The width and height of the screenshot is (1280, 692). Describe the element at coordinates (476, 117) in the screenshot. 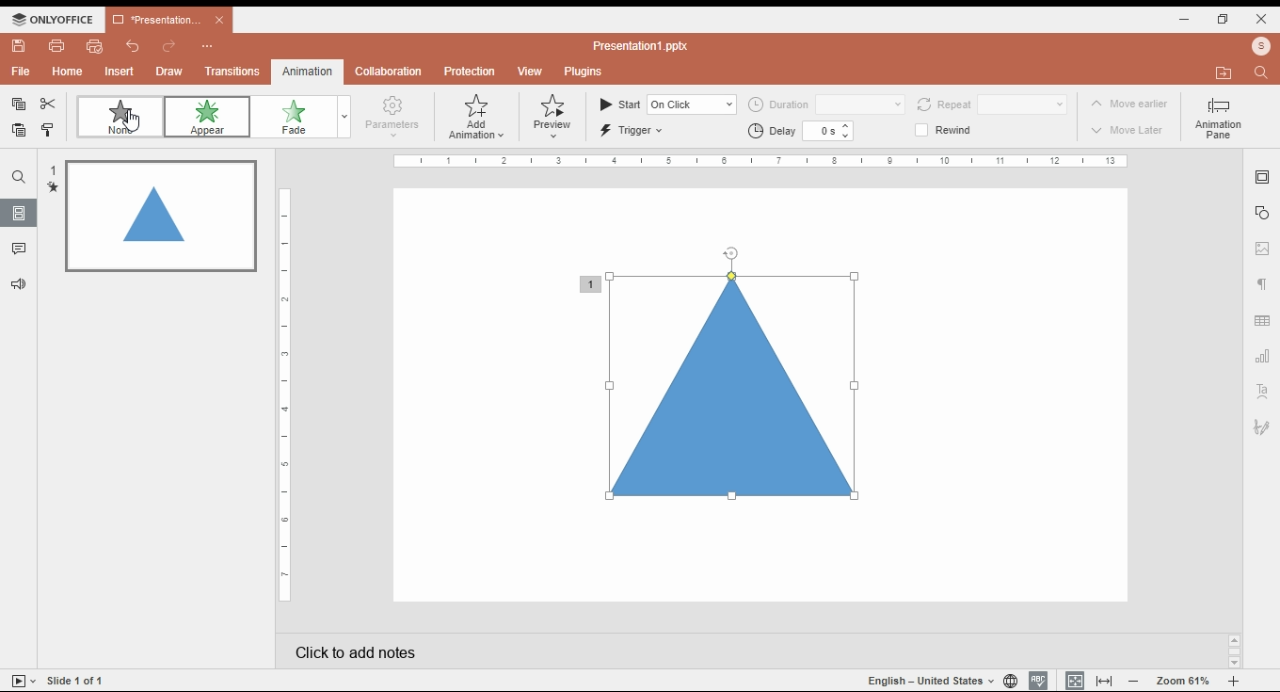

I see `add animation` at that location.